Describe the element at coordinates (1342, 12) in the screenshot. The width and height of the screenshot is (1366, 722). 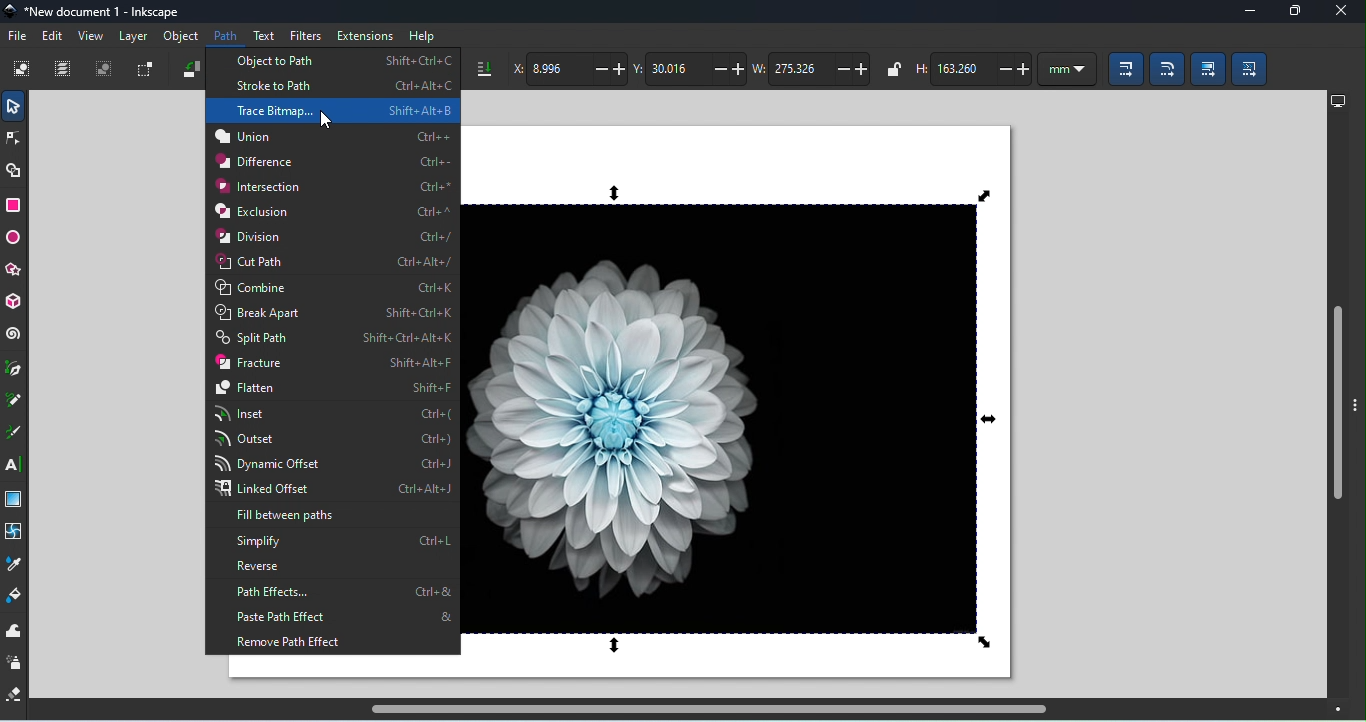
I see `Close` at that location.